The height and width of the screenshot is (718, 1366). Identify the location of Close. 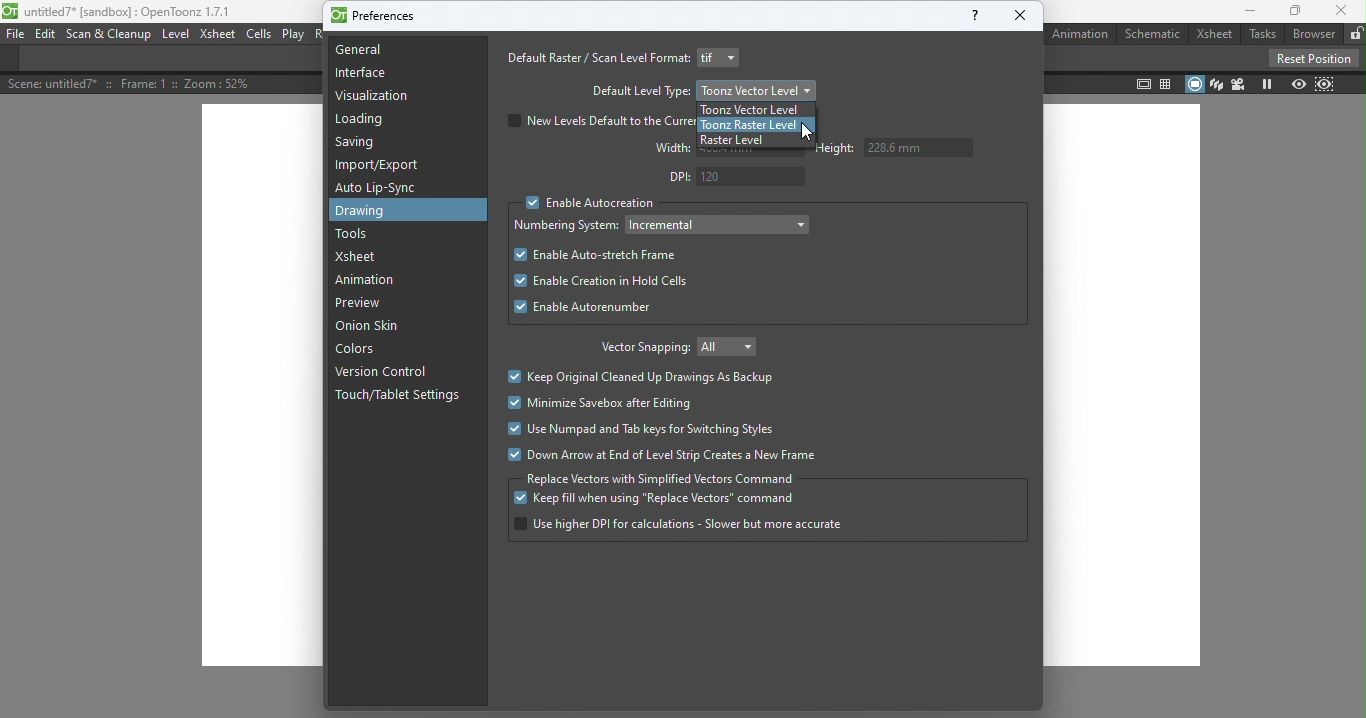
(1025, 15).